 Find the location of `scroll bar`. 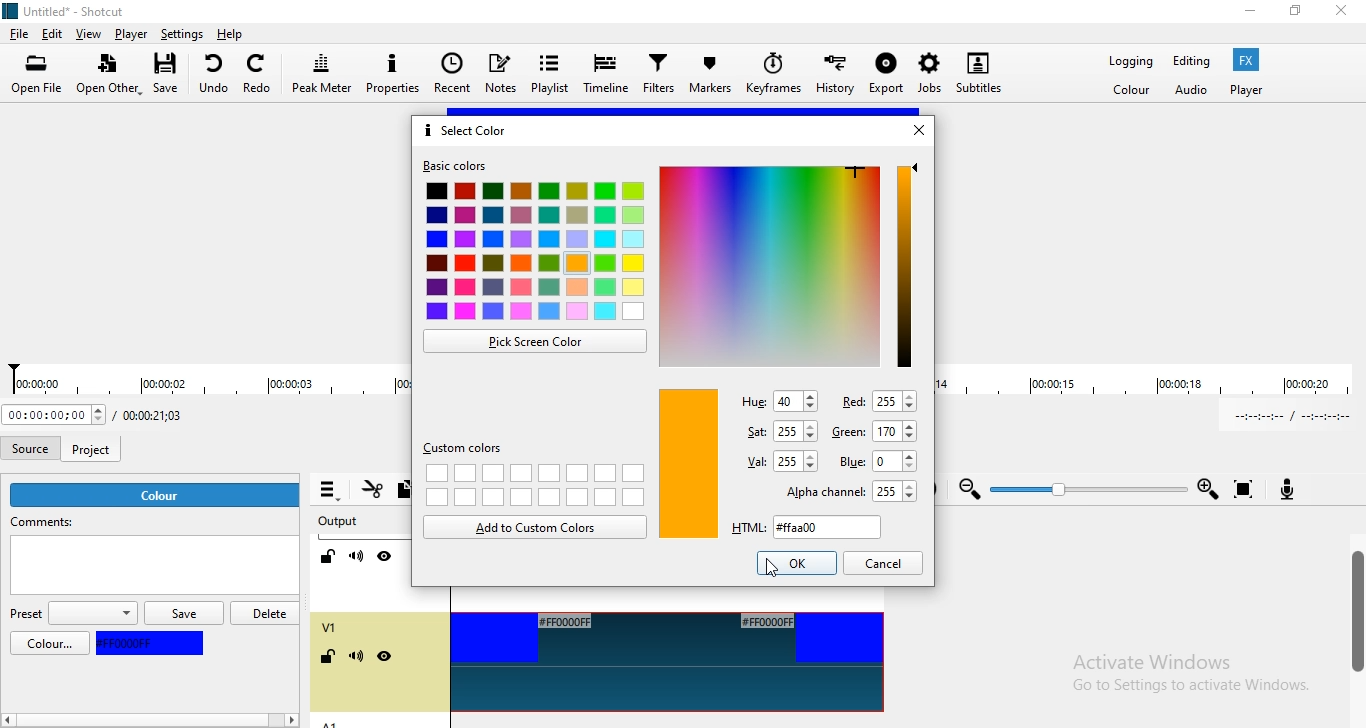

scroll bar is located at coordinates (174, 721).